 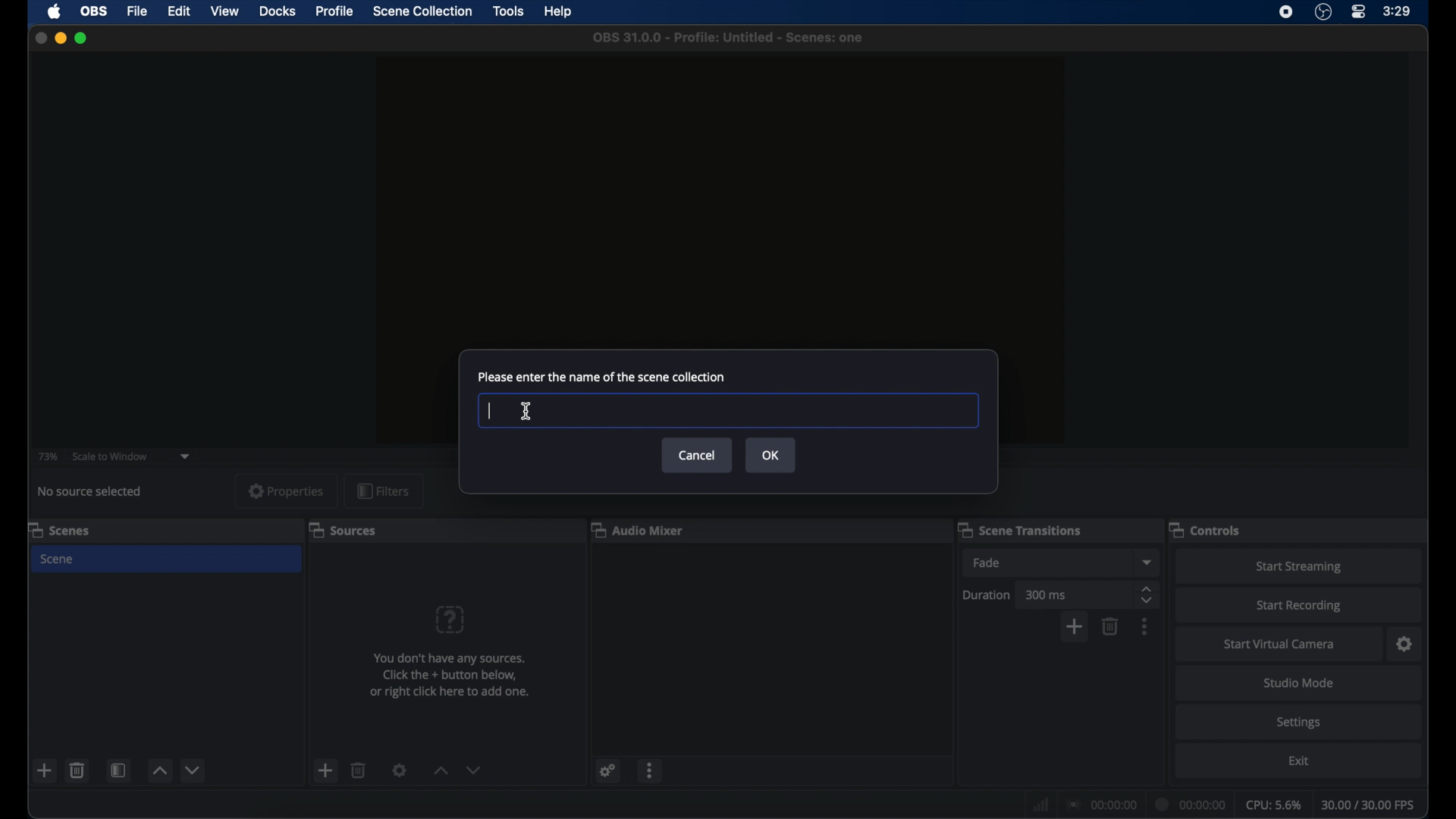 What do you see at coordinates (194, 770) in the screenshot?
I see `decrement` at bounding box center [194, 770].